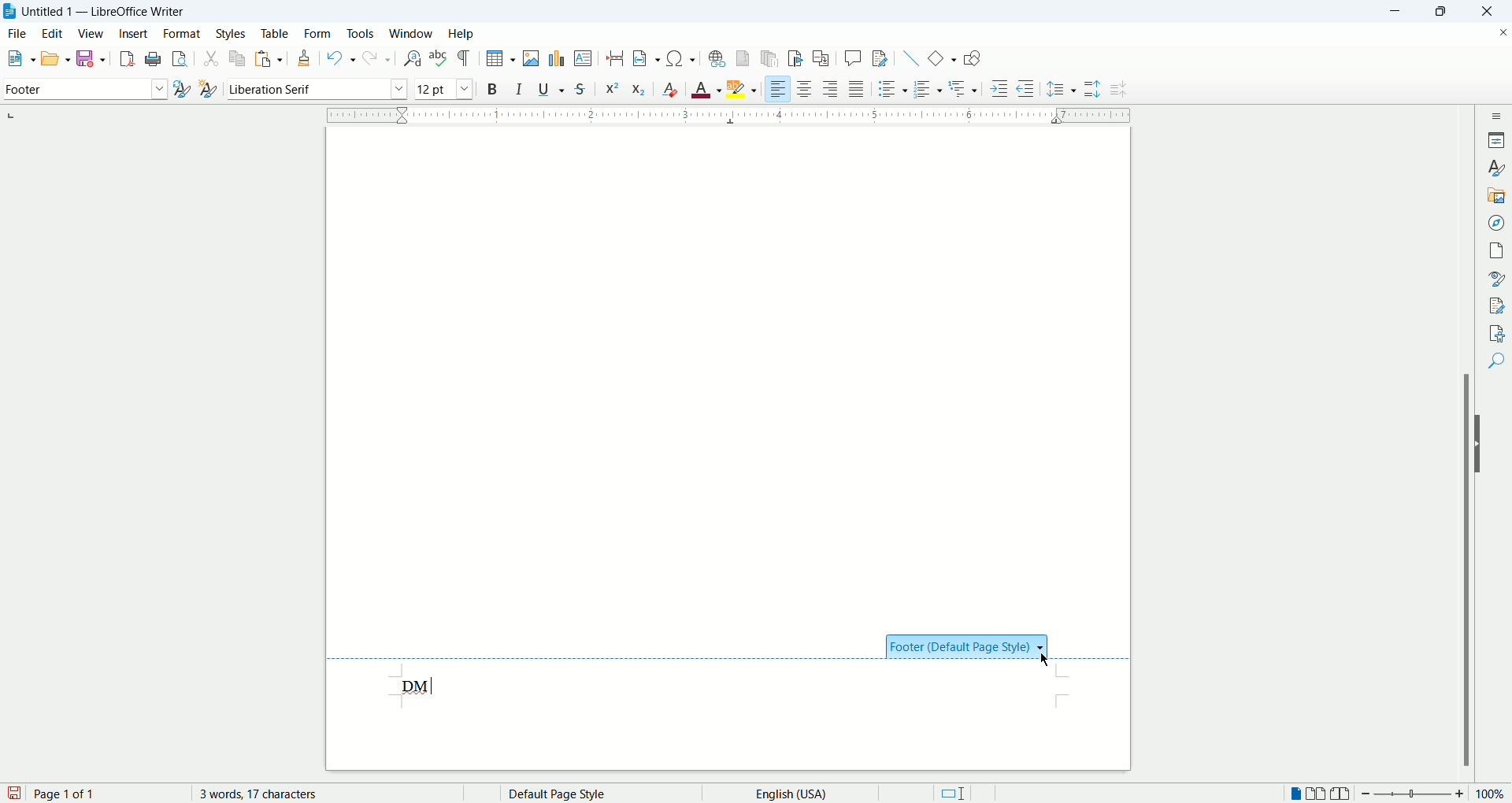 This screenshot has height=803, width=1512. What do you see at coordinates (107, 11) in the screenshot?
I see `Untitled 1 - LibreOffice Writer` at bounding box center [107, 11].